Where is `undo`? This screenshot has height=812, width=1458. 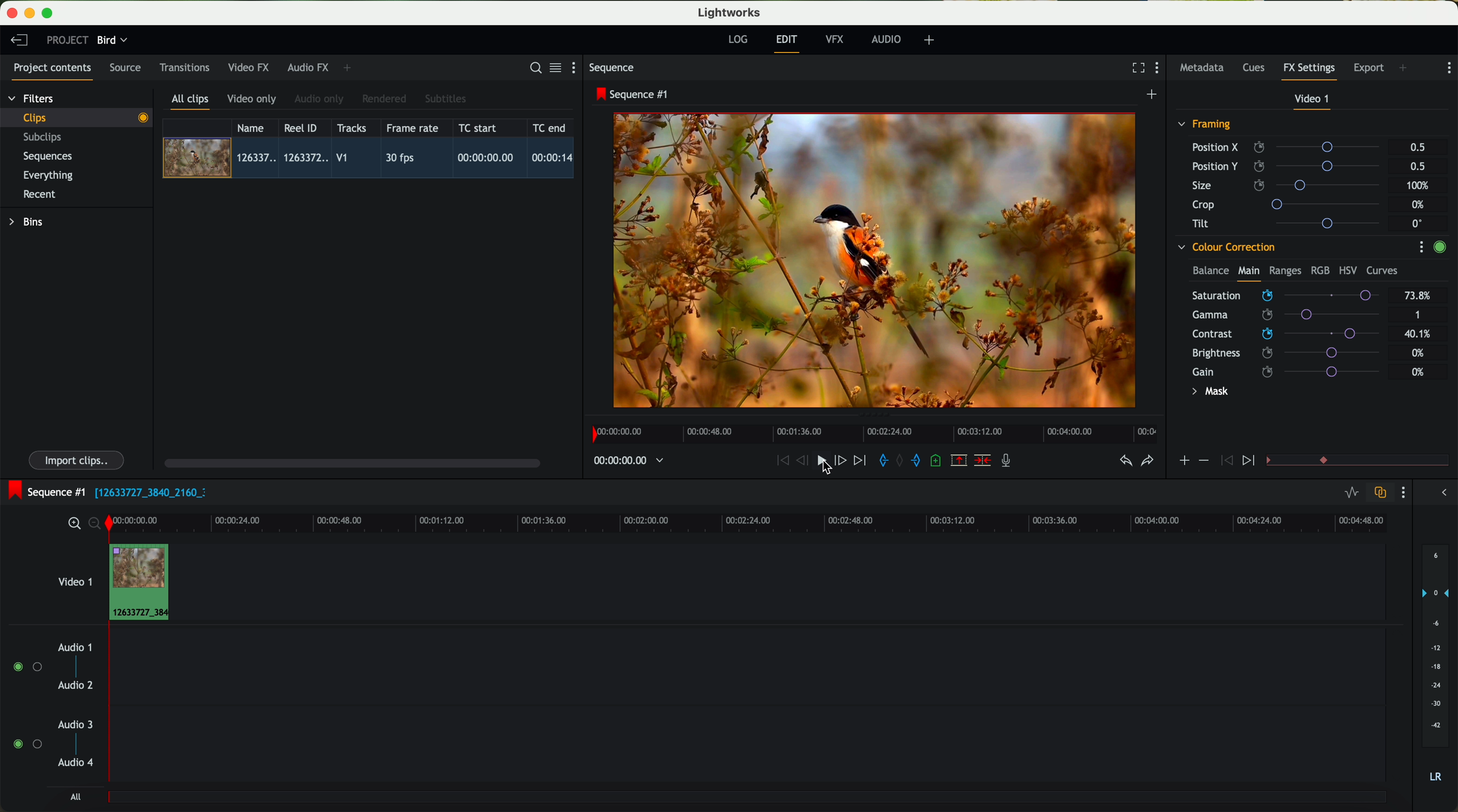
undo is located at coordinates (1125, 461).